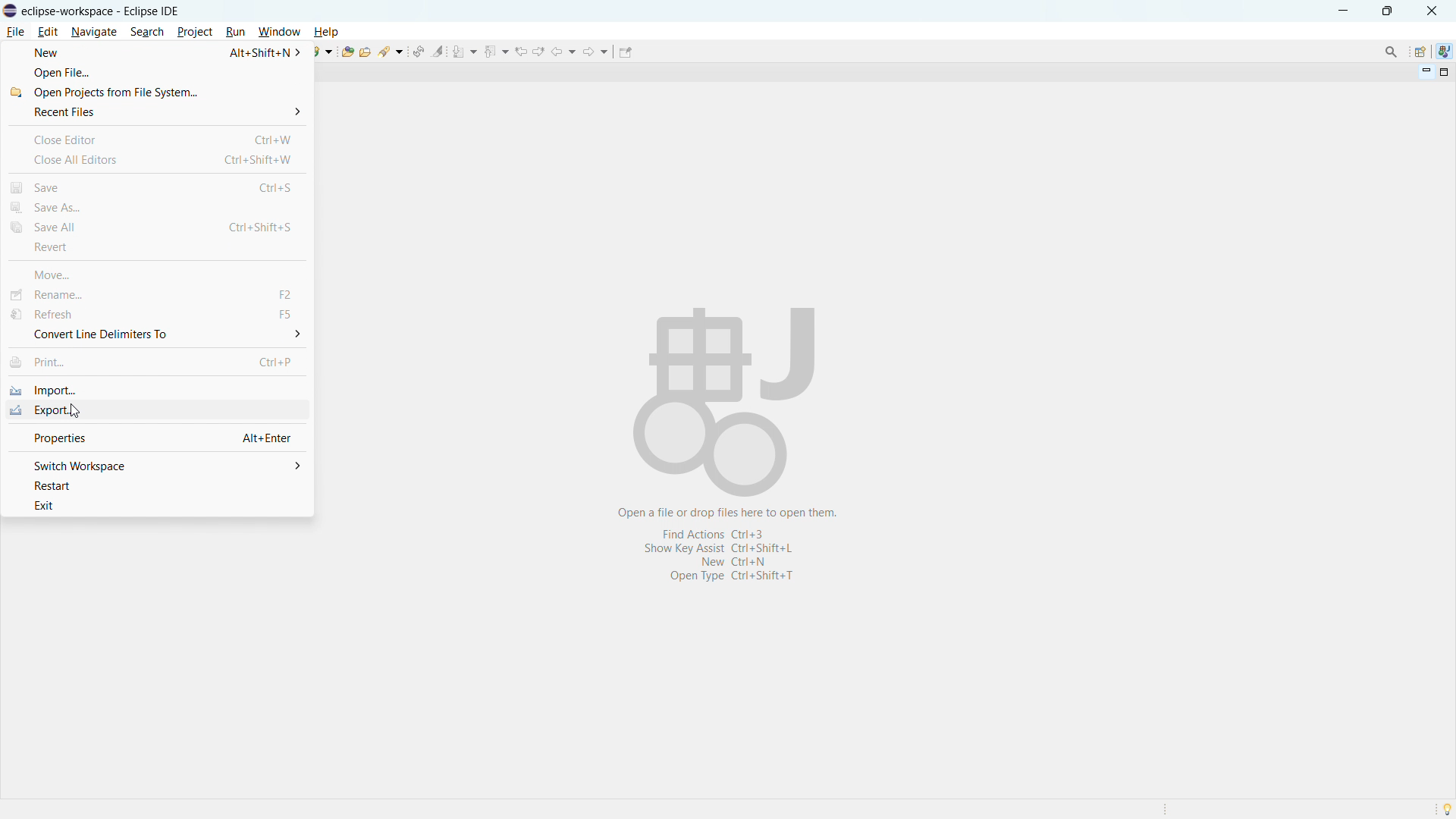  Describe the element at coordinates (438, 51) in the screenshot. I see `toggle ant mark occurances` at that location.